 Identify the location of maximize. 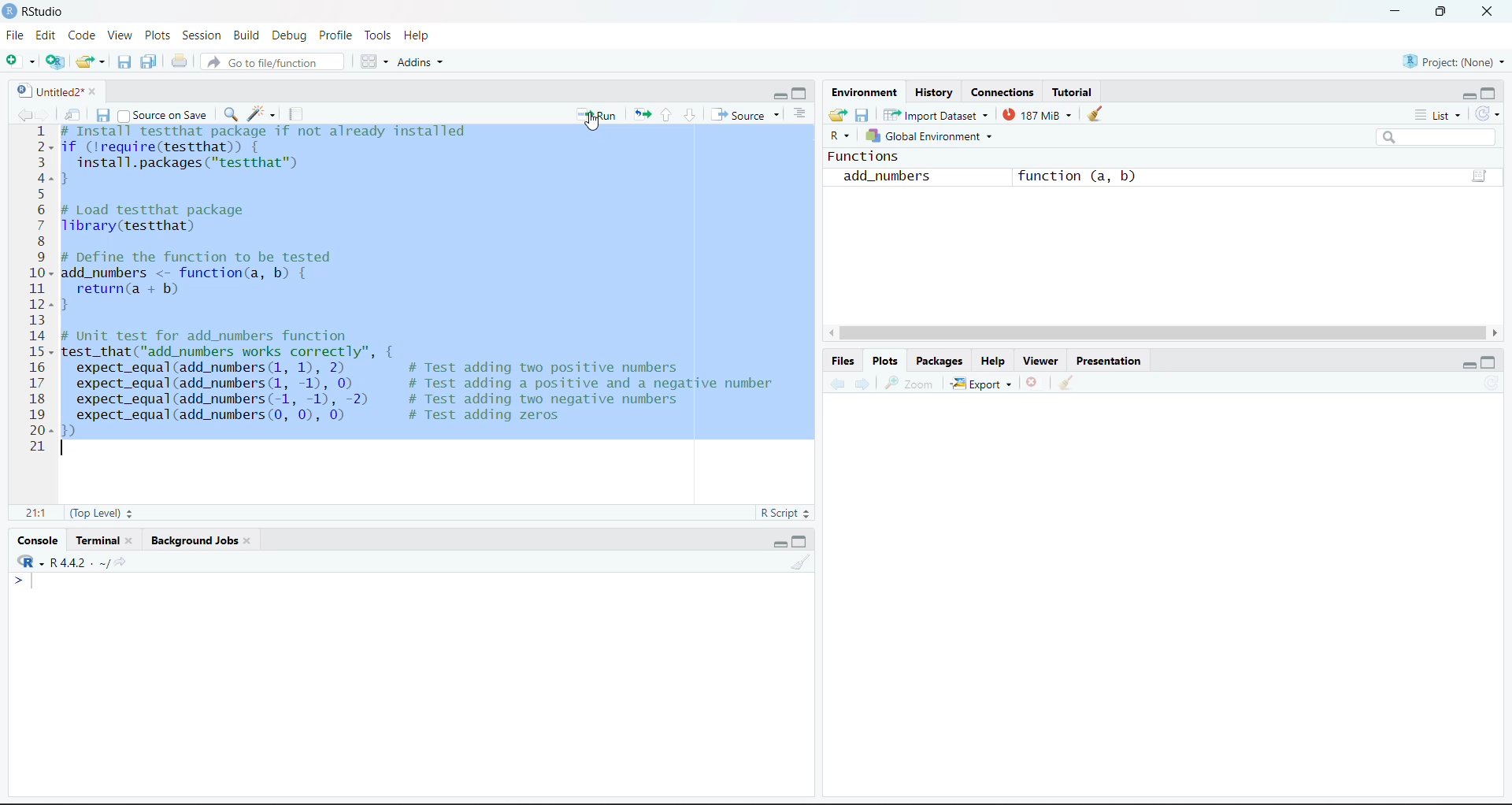
(802, 93).